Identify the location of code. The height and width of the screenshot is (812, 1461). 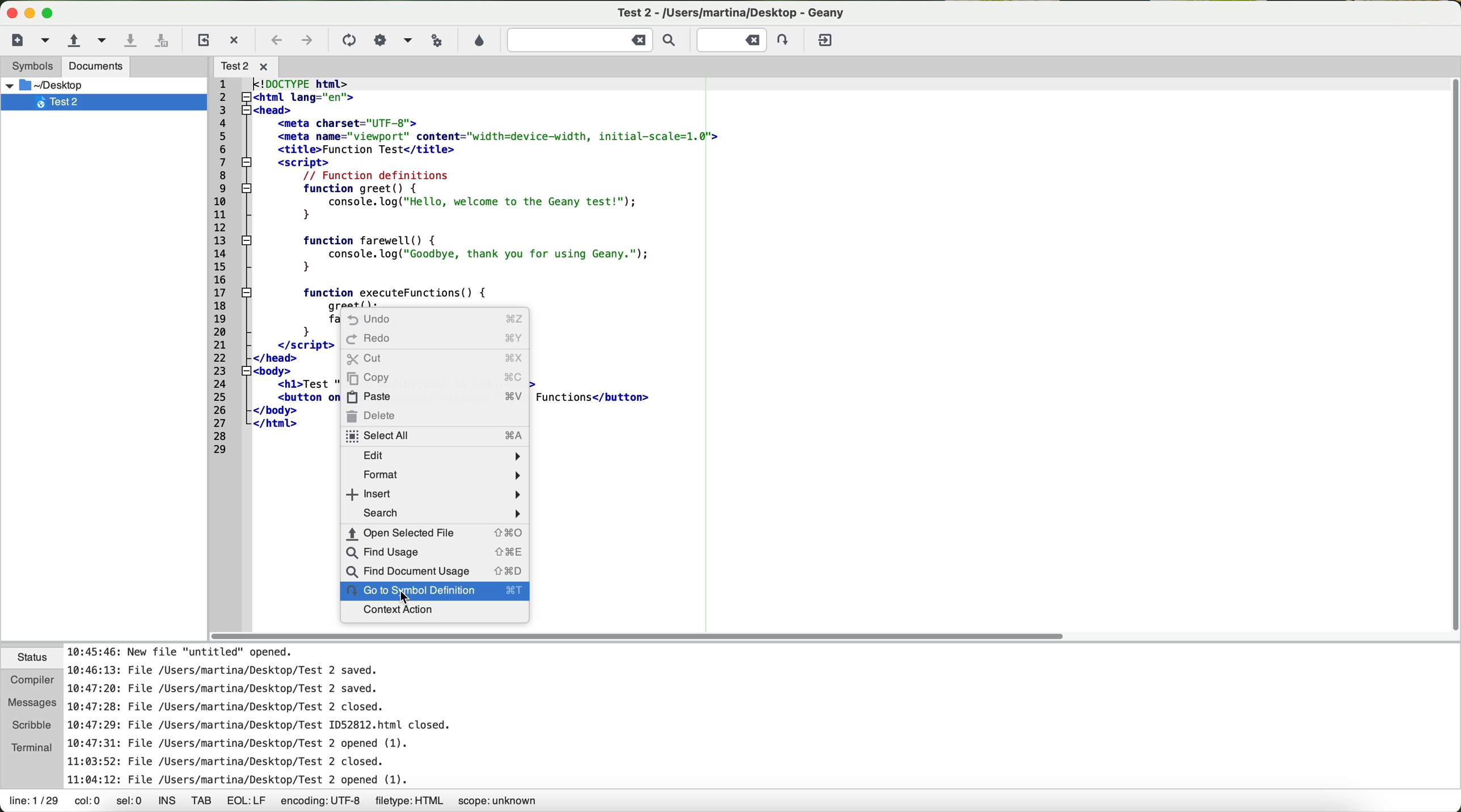
(601, 395).